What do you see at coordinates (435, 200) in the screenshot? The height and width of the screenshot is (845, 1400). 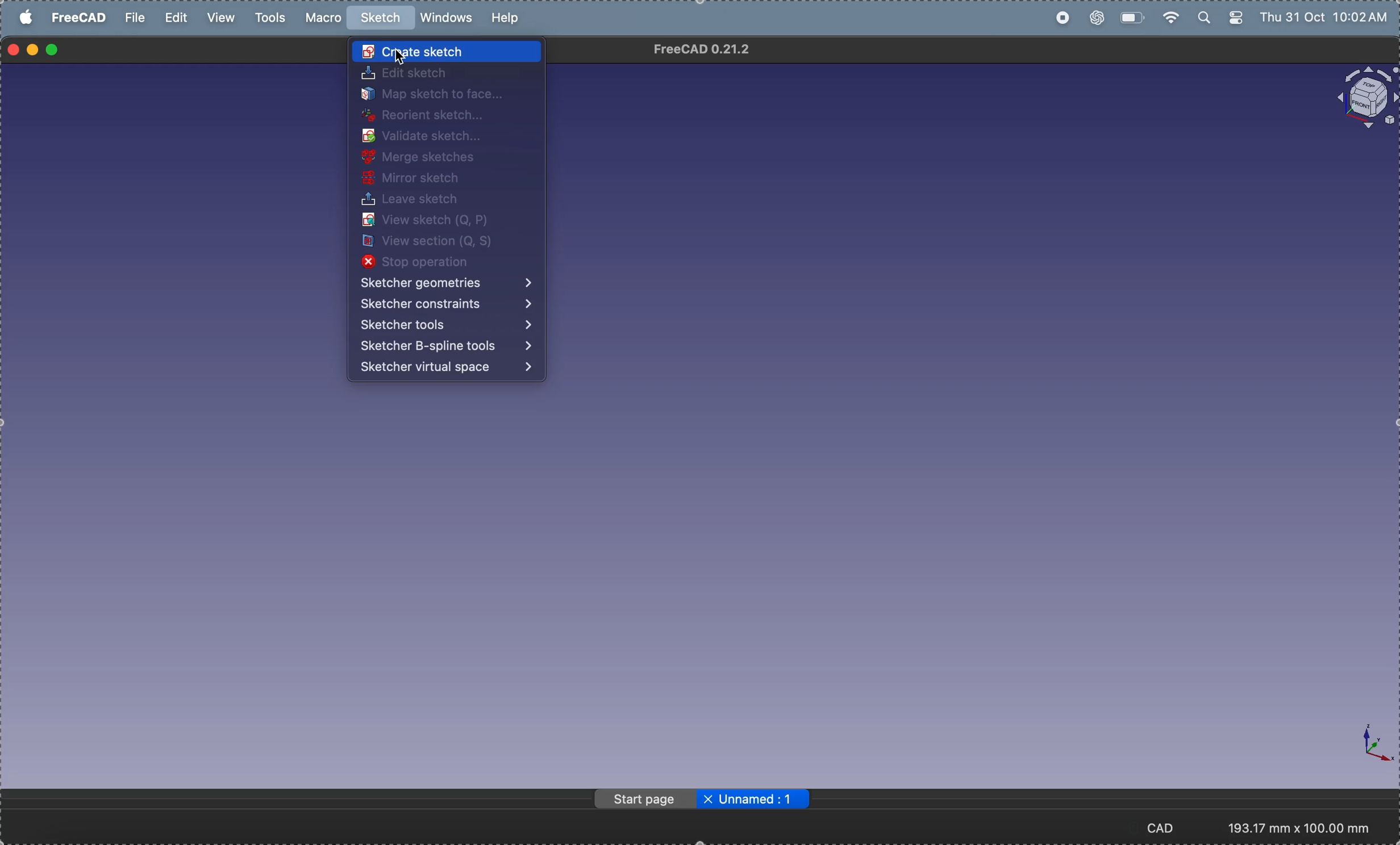 I see `leave sketch` at bounding box center [435, 200].